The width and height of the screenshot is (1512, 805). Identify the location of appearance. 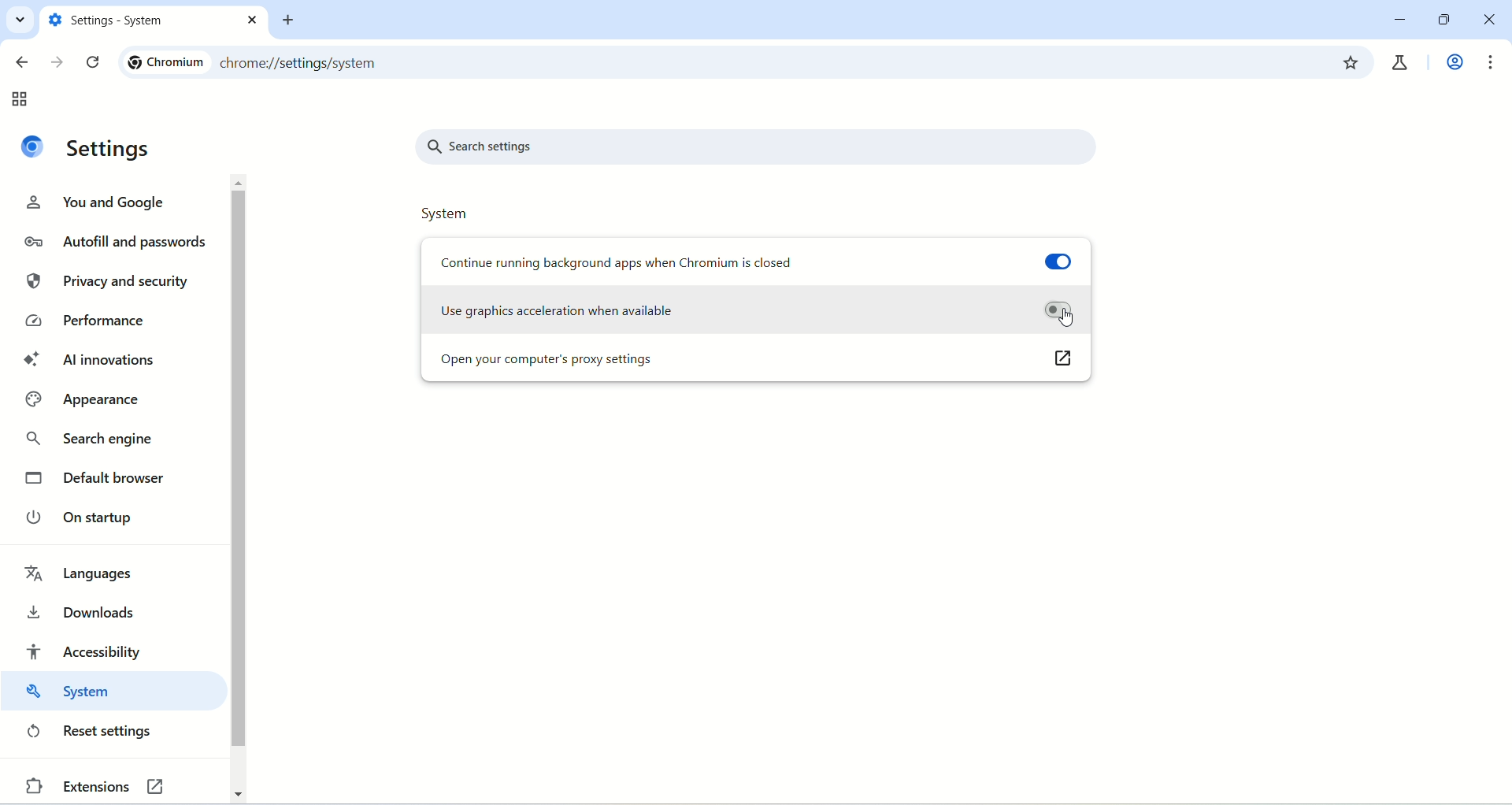
(92, 400).